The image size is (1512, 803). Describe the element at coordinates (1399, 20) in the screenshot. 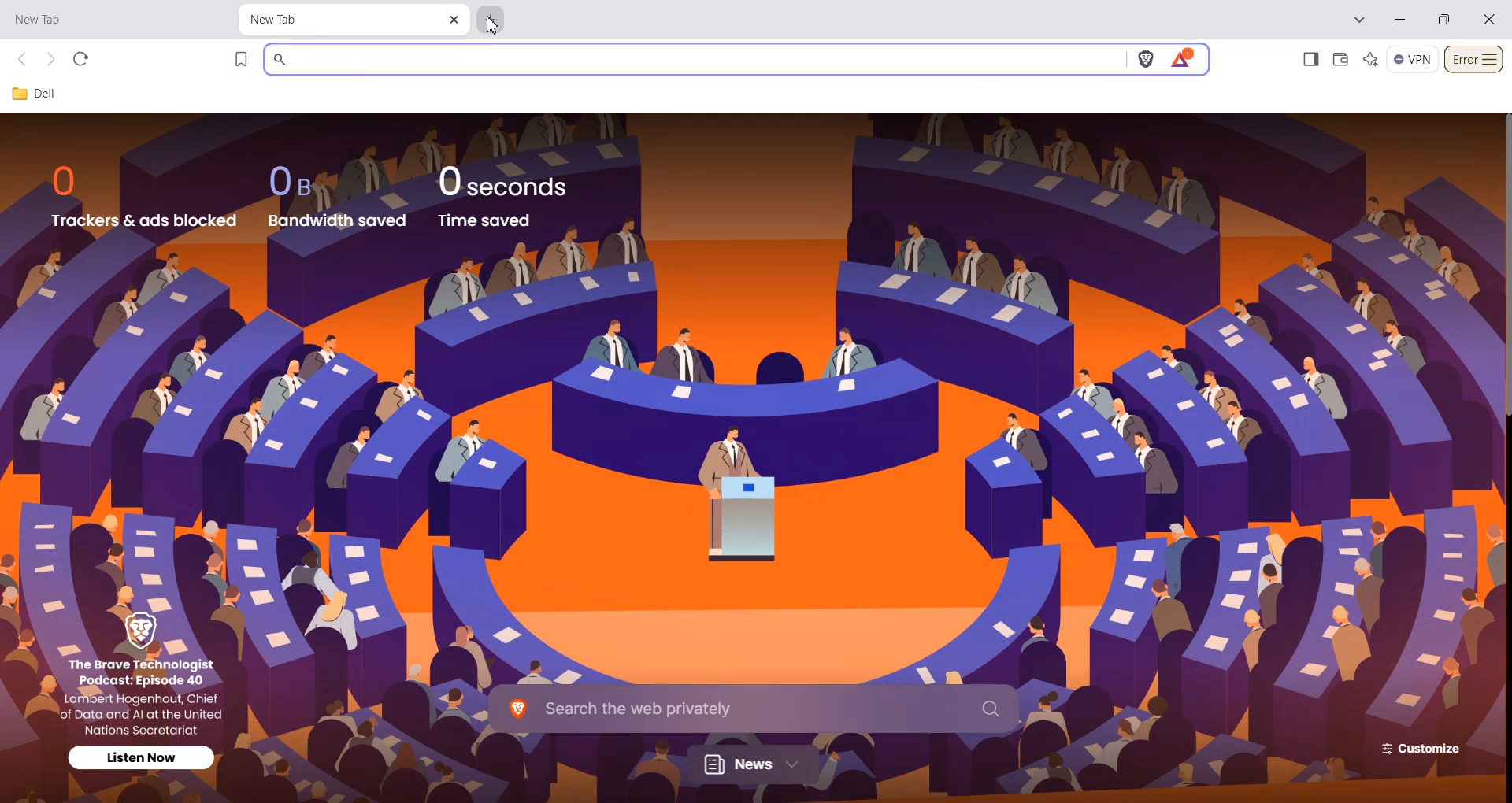

I see `Minimize` at that location.